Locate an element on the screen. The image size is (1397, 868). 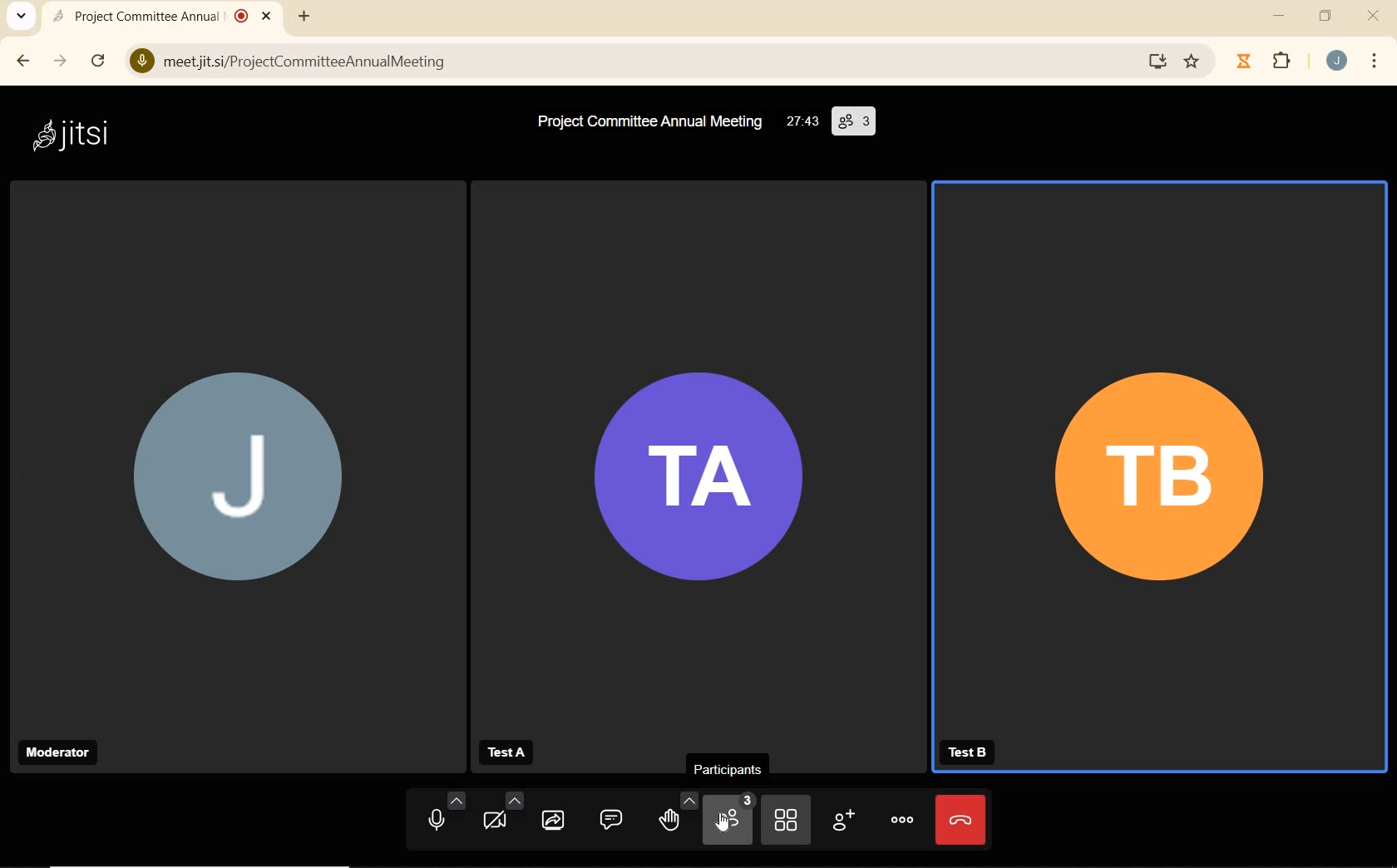
CAMERA is located at coordinates (502, 811).